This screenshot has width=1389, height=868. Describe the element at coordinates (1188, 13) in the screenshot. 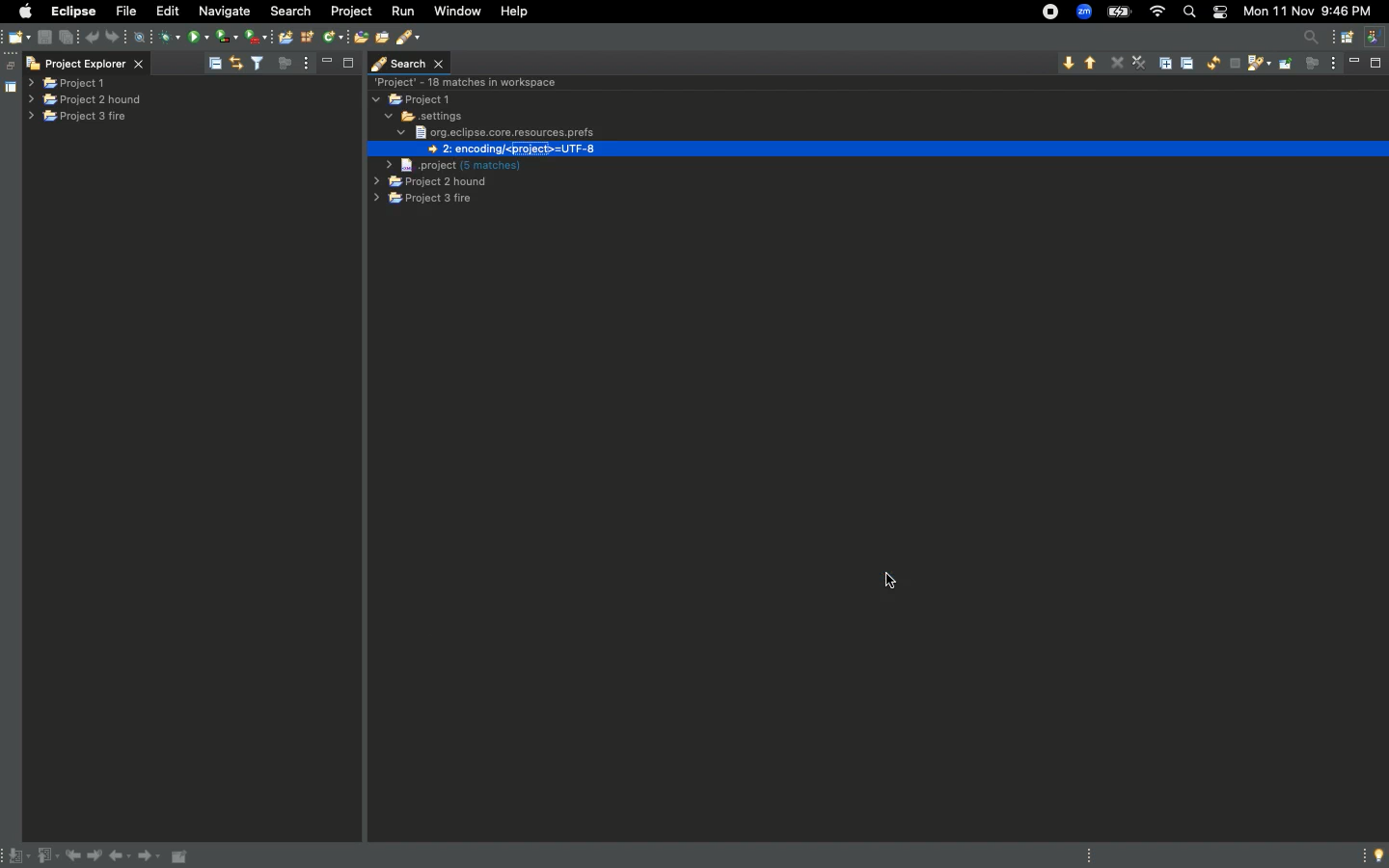

I see `Search` at that location.